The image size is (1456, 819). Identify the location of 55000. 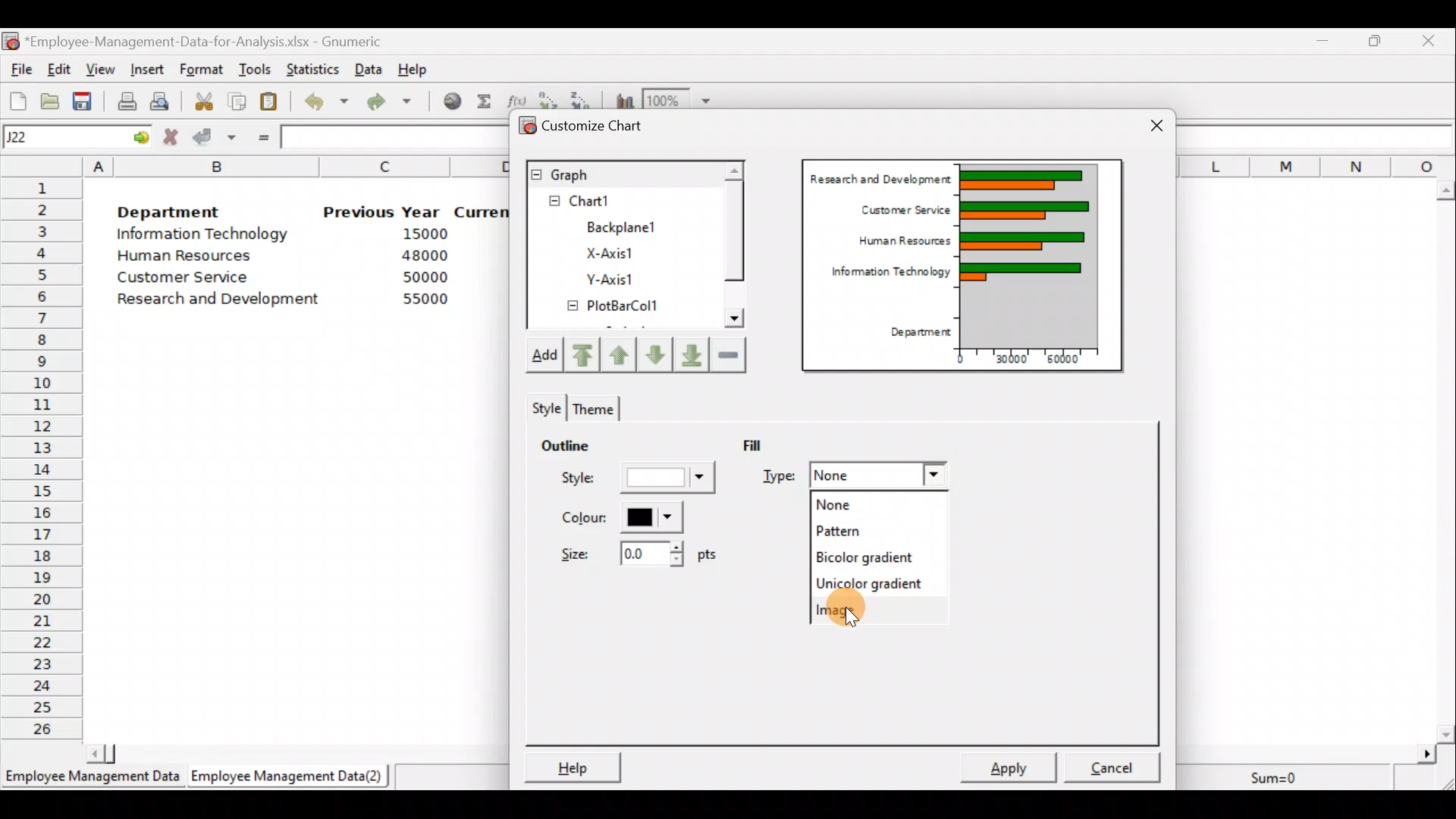
(423, 300).